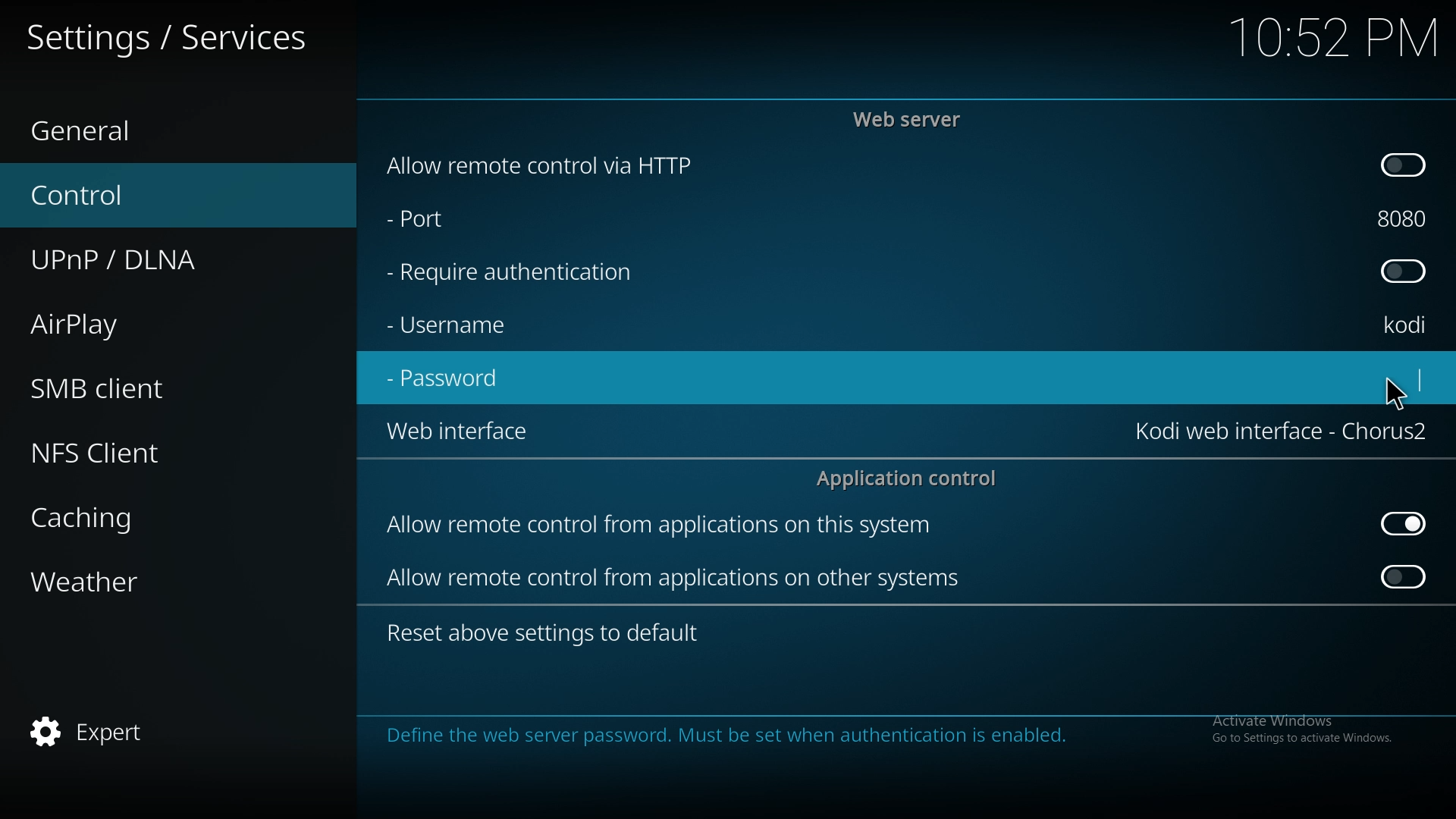 This screenshot has width=1456, height=819. What do you see at coordinates (1403, 273) in the screenshot?
I see `toggle` at bounding box center [1403, 273].